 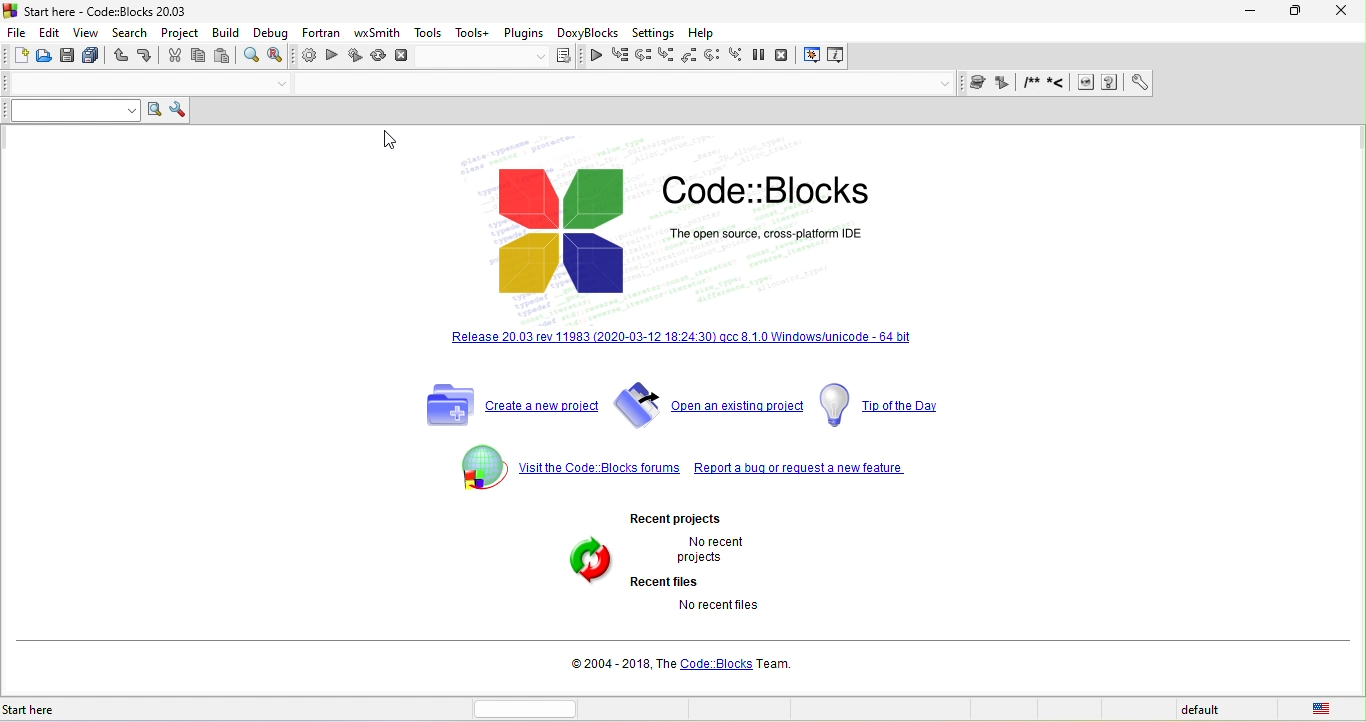 I want to click on prev bookmark, so click(x=1055, y=85).